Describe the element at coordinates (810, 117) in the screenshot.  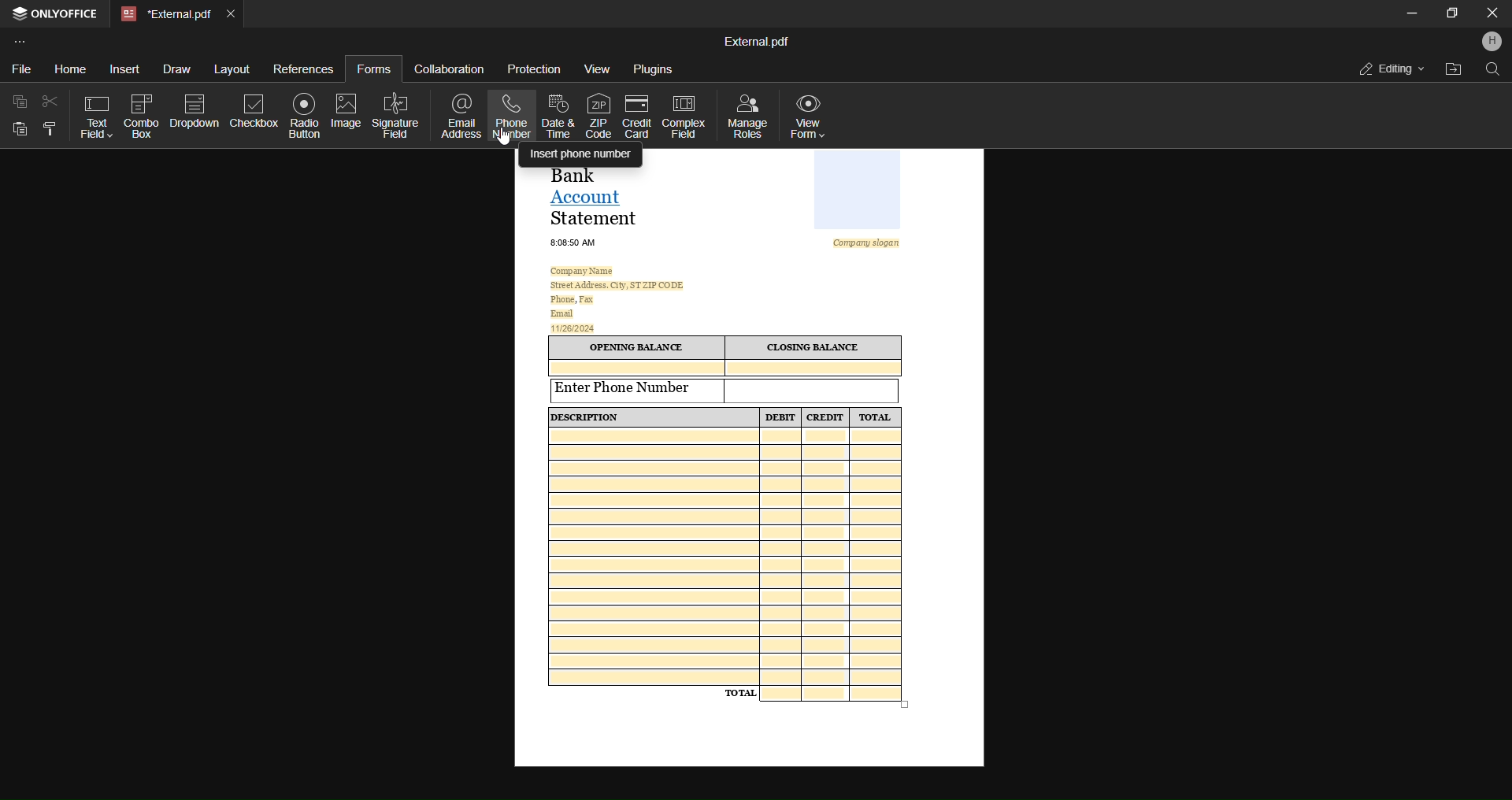
I see `view form` at that location.